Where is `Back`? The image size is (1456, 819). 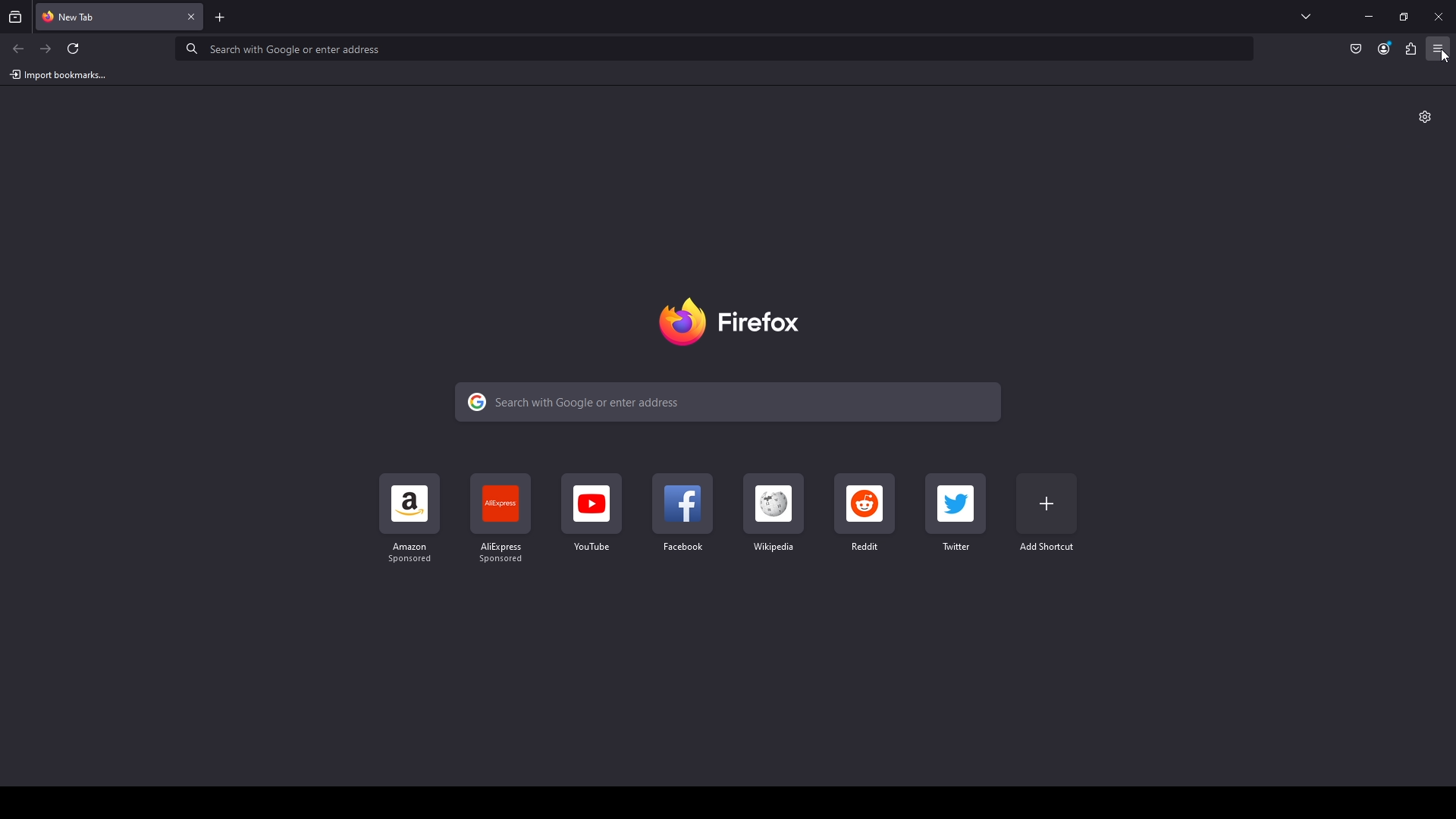 Back is located at coordinates (18, 49).